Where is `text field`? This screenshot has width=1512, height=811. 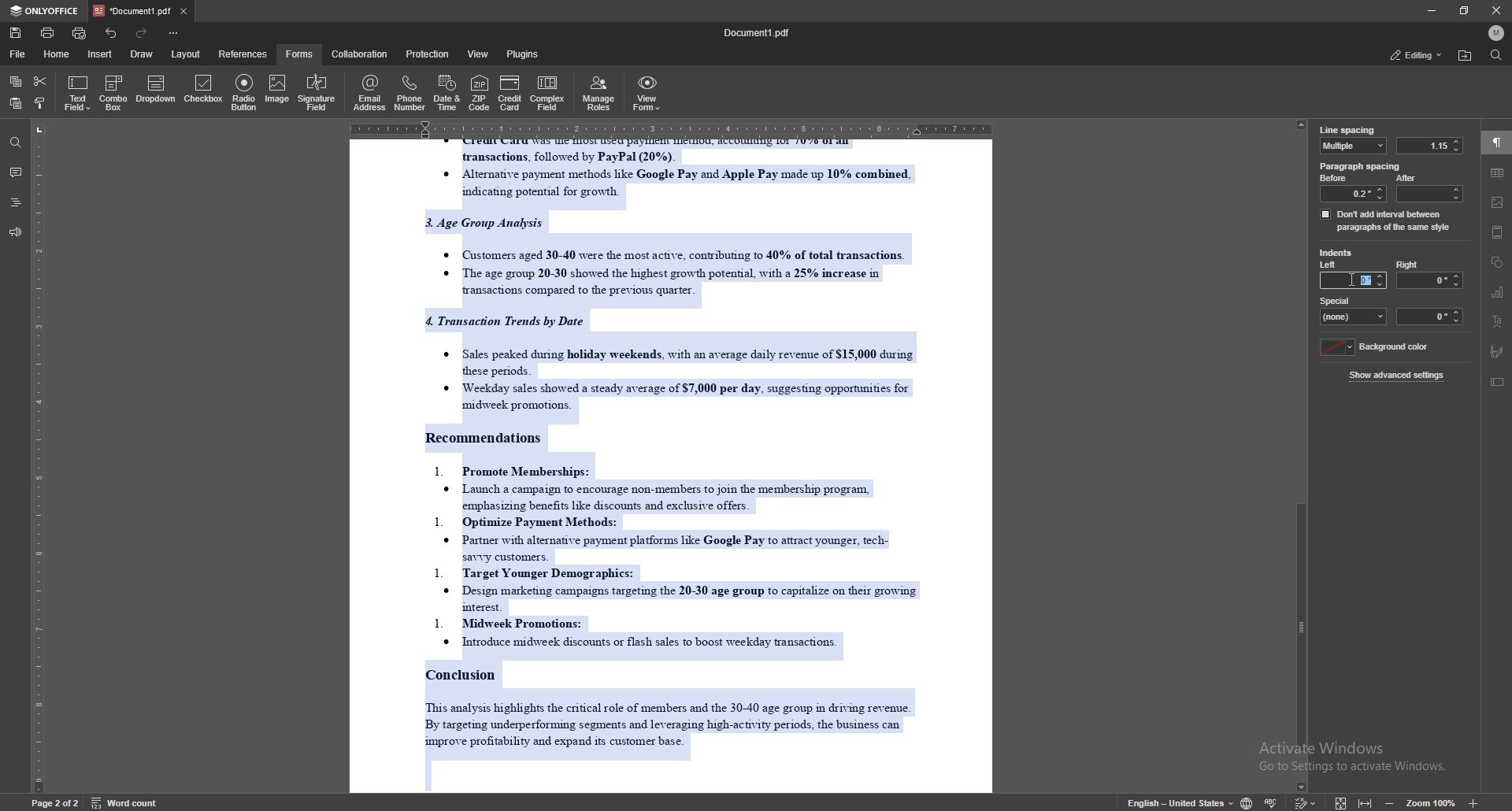 text field is located at coordinates (78, 93).